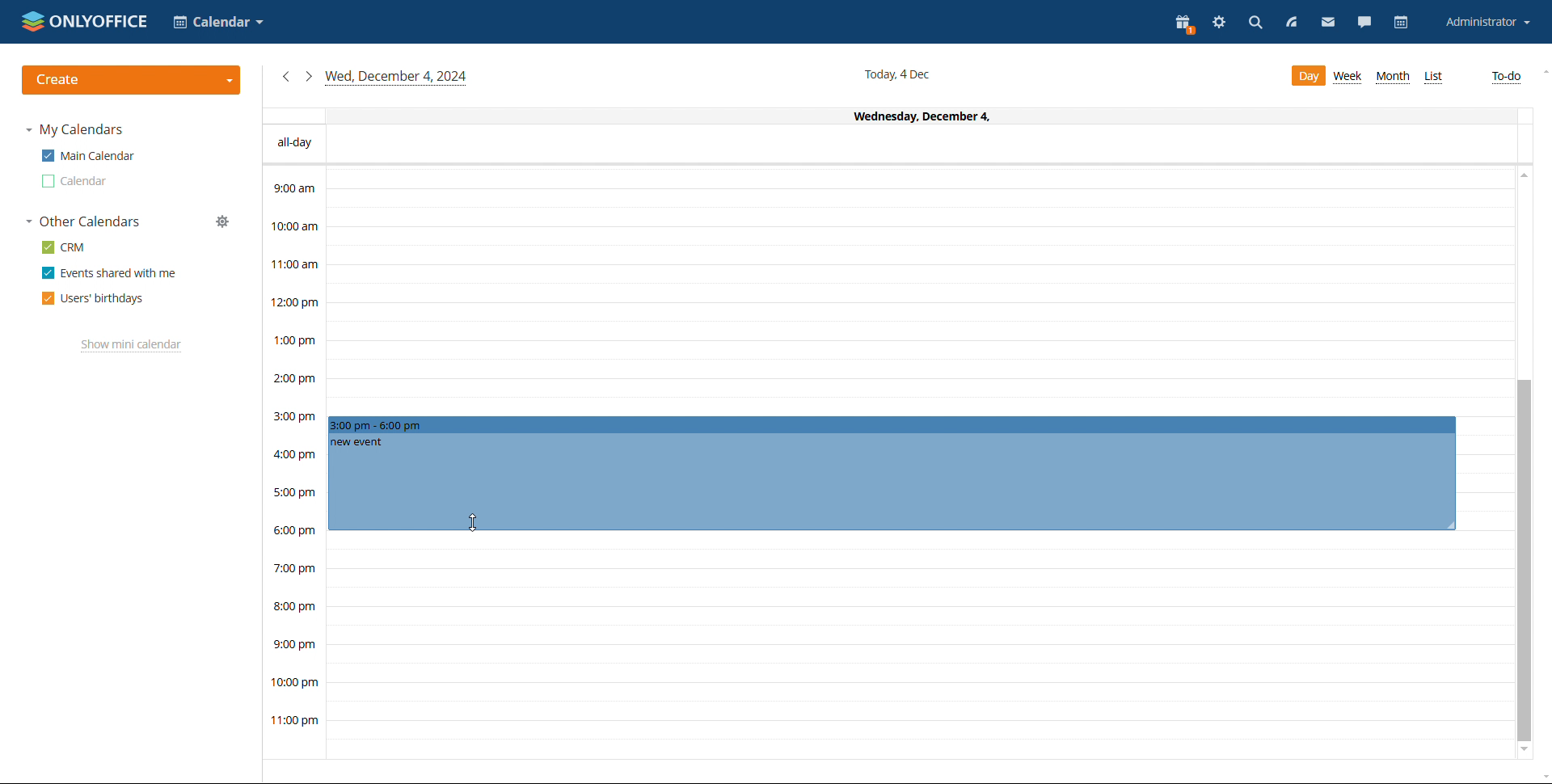 The height and width of the screenshot is (784, 1552). Describe the element at coordinates (1525, 561) in the screenshot. I see `scrollbar` at that location.